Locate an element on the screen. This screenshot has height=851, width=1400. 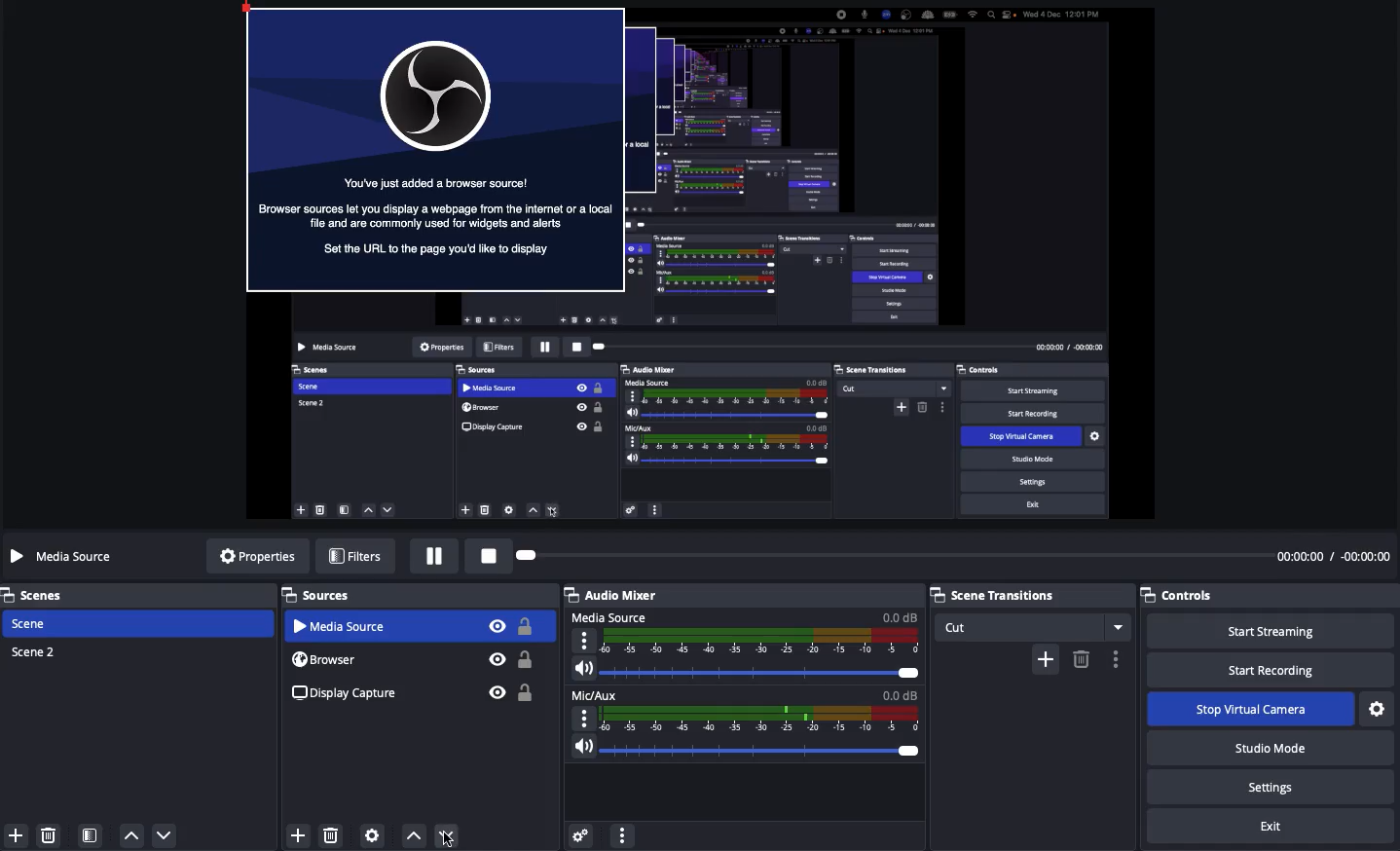
Unlock is located at coordinates (529, 660).